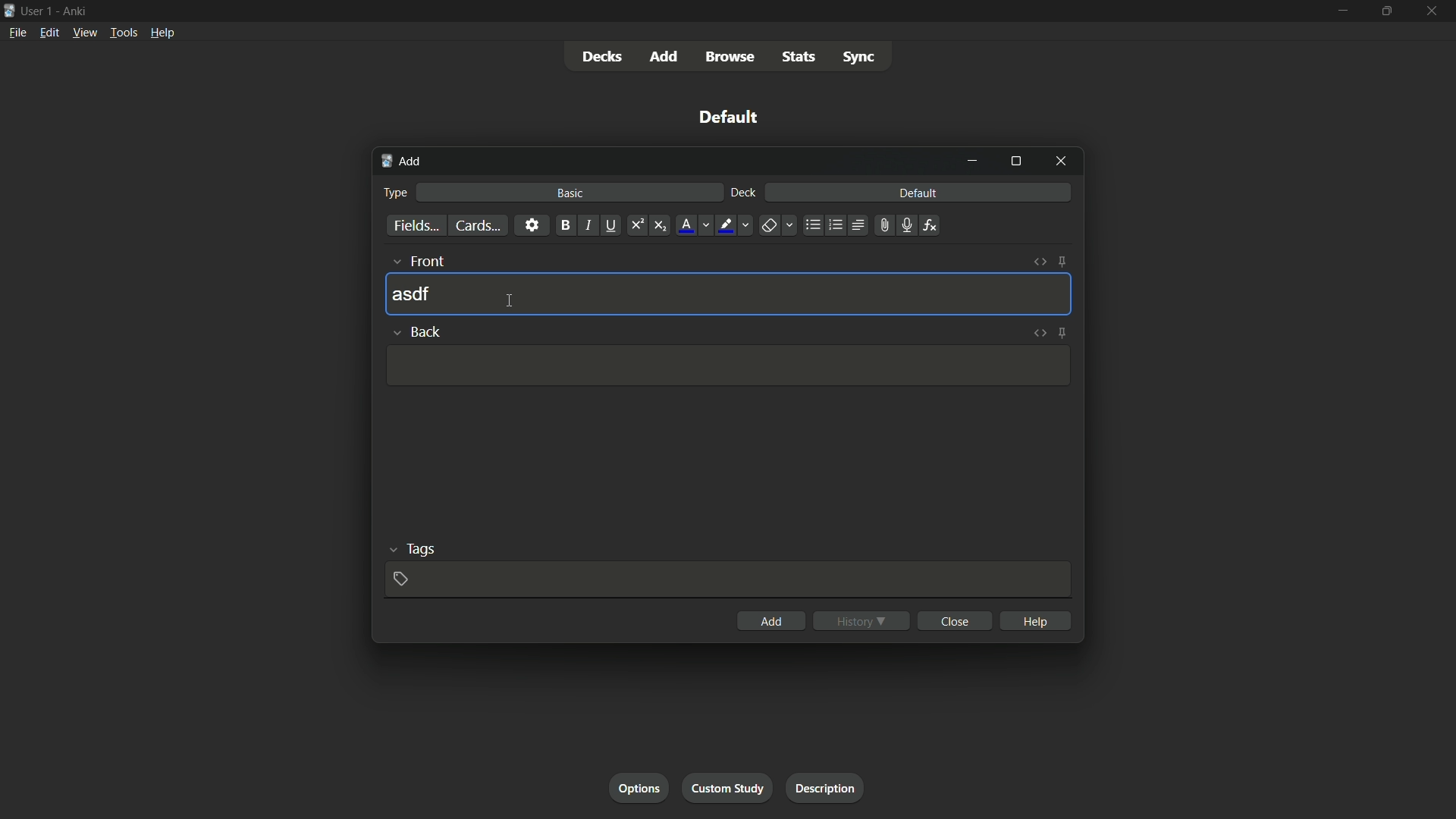 Image resolution: width=1456 pixels, height=819 pixels. I want to click on subscript, so click(661, 225).